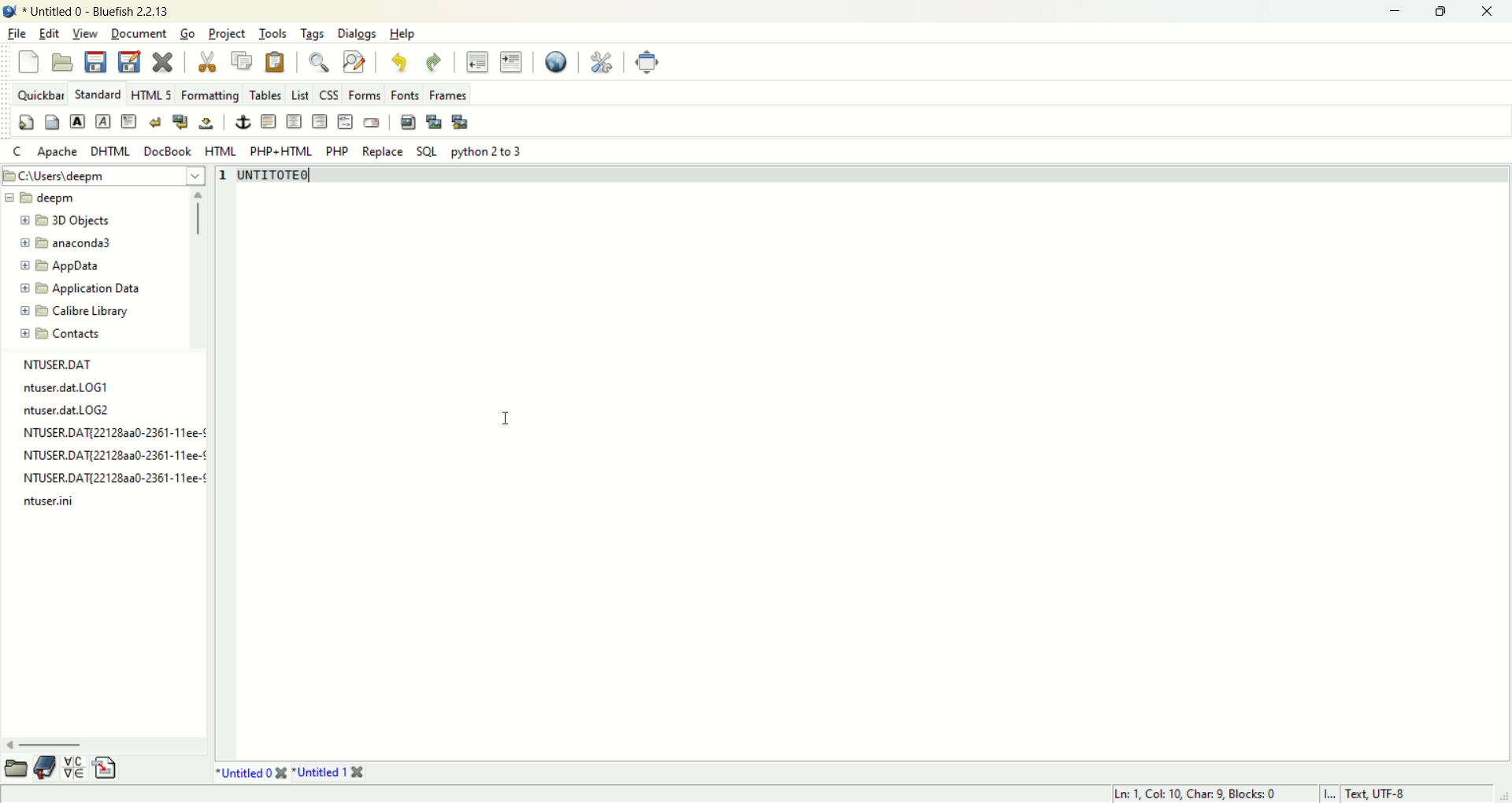 This screenshot has width=1512, height=803. I want to click on email, so click(370, 120).